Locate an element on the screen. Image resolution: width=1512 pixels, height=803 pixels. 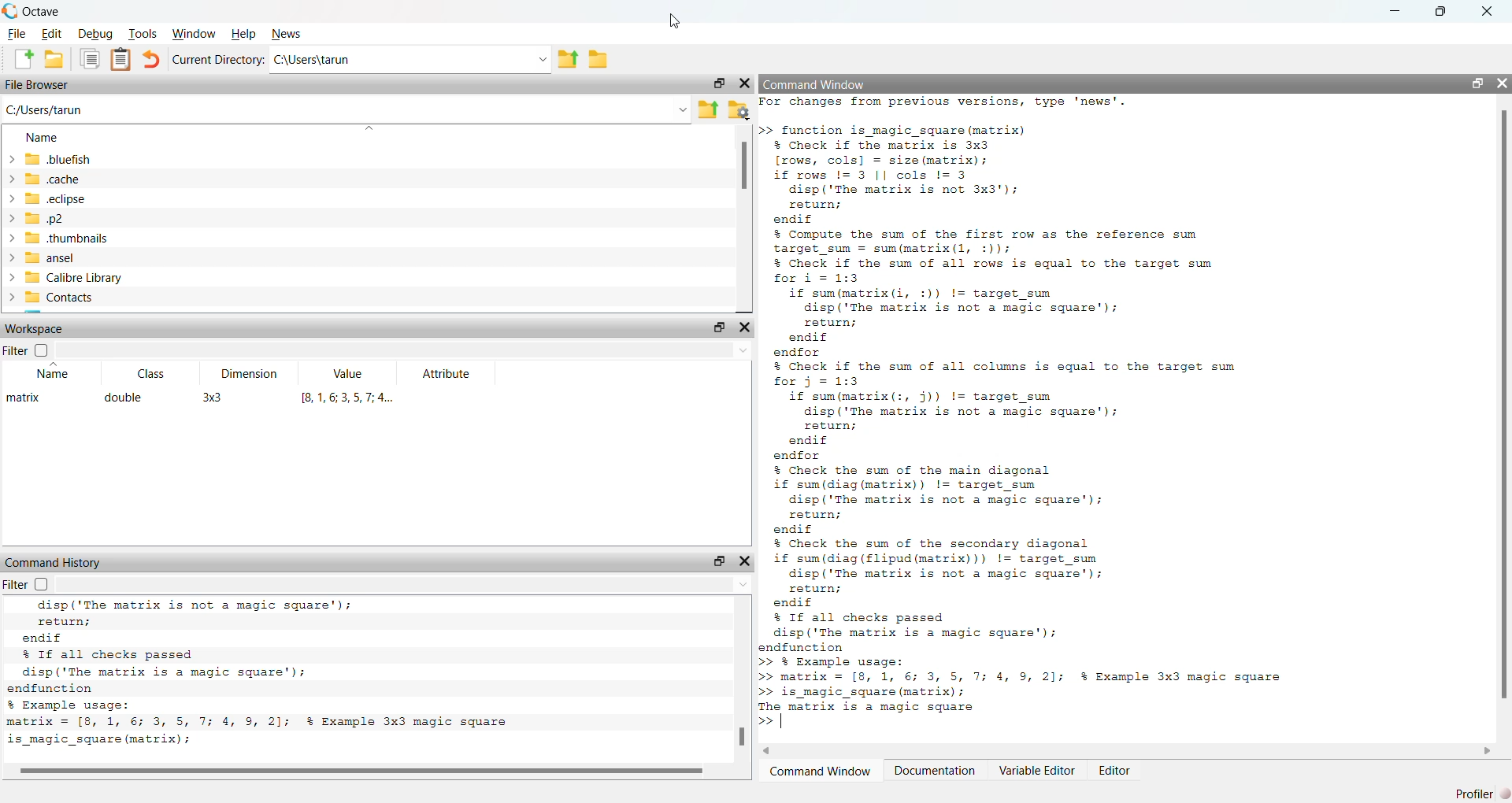
3x3 is located at coordinates (213, 399).